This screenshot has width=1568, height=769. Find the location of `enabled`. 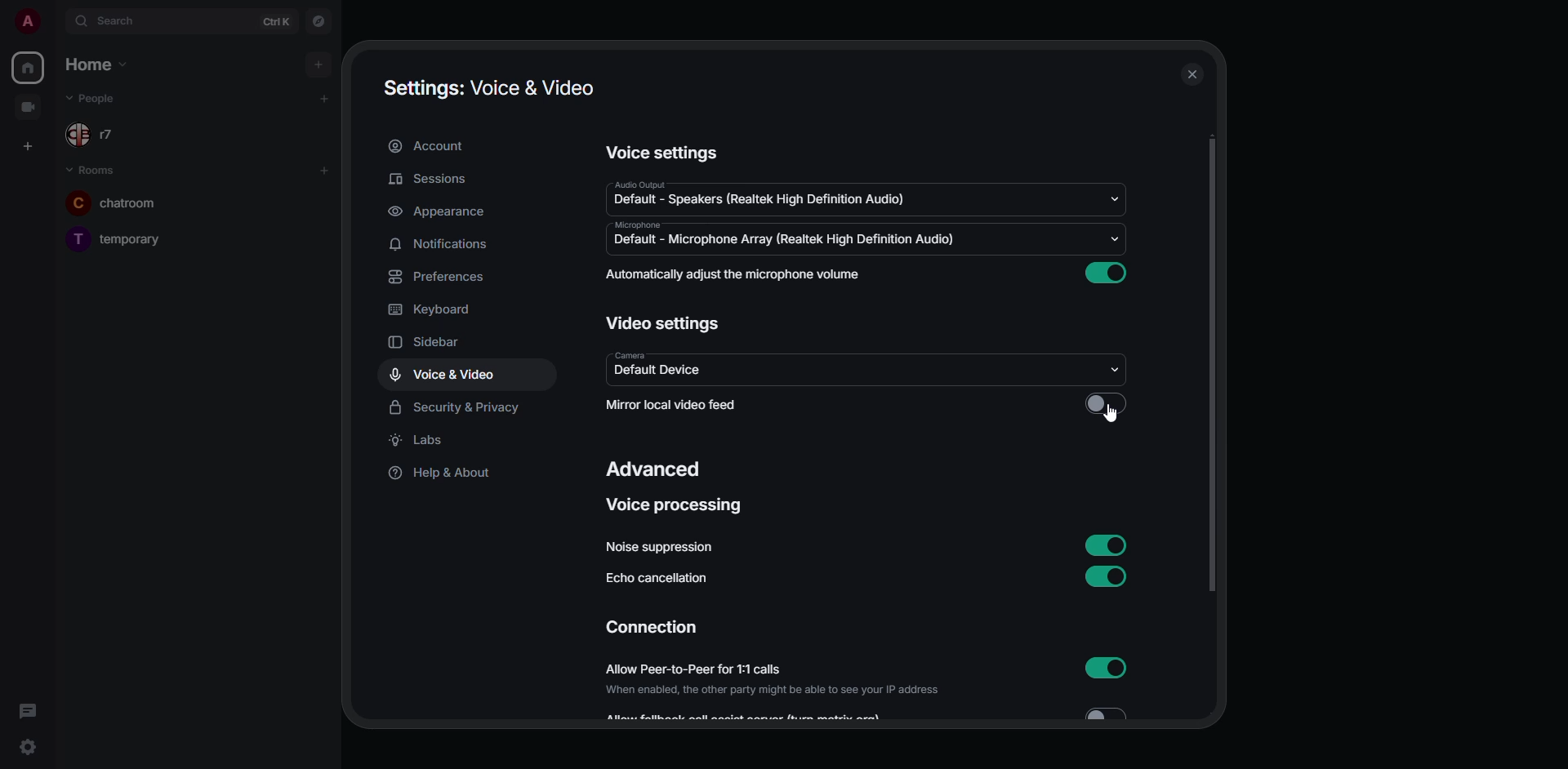

enabled is located at coordinates (1108, 272).